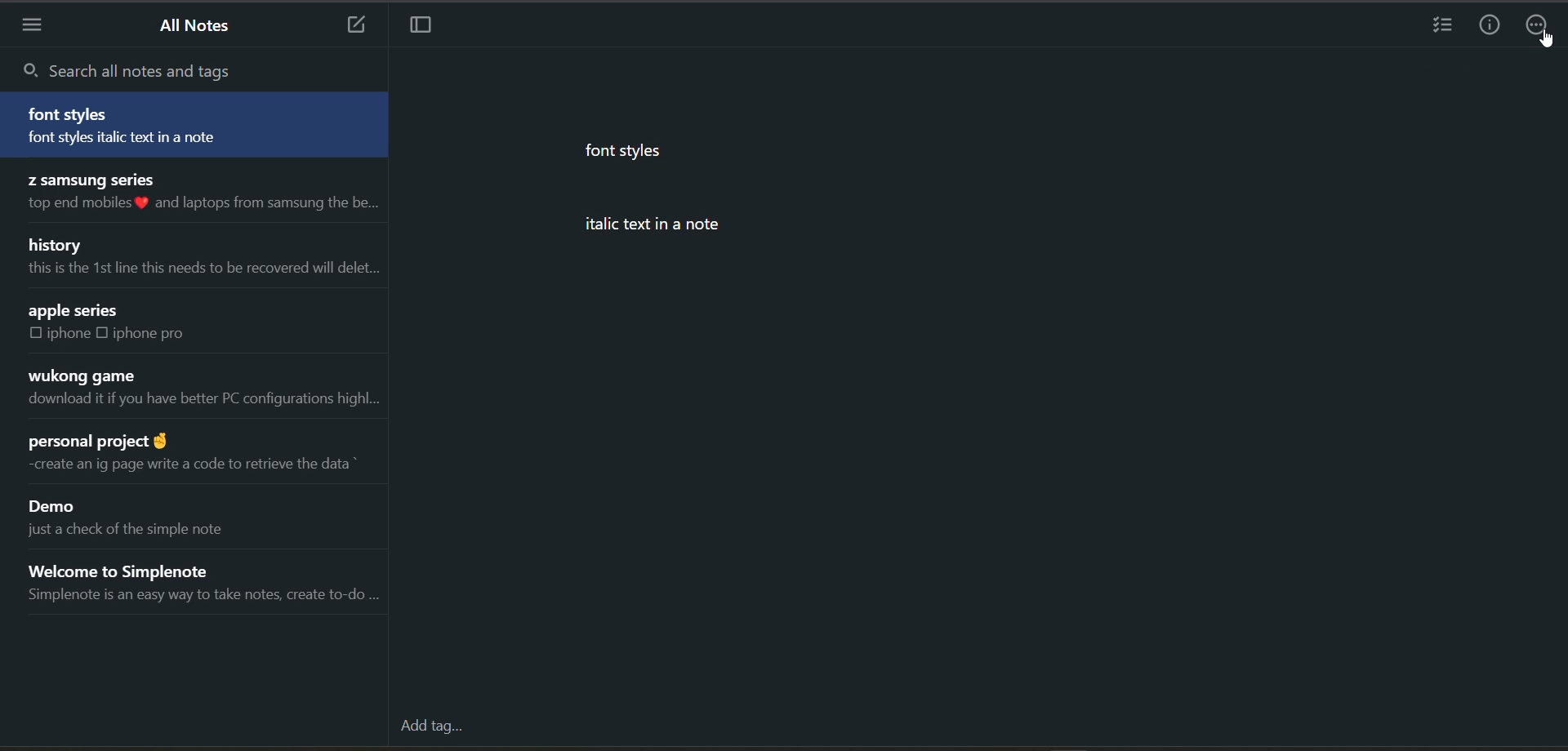 The height and width of the screenshot is (751, 1568). Describe the element at coordinates (203, 259) in the screenshot. I see `note title and preview` at that location.